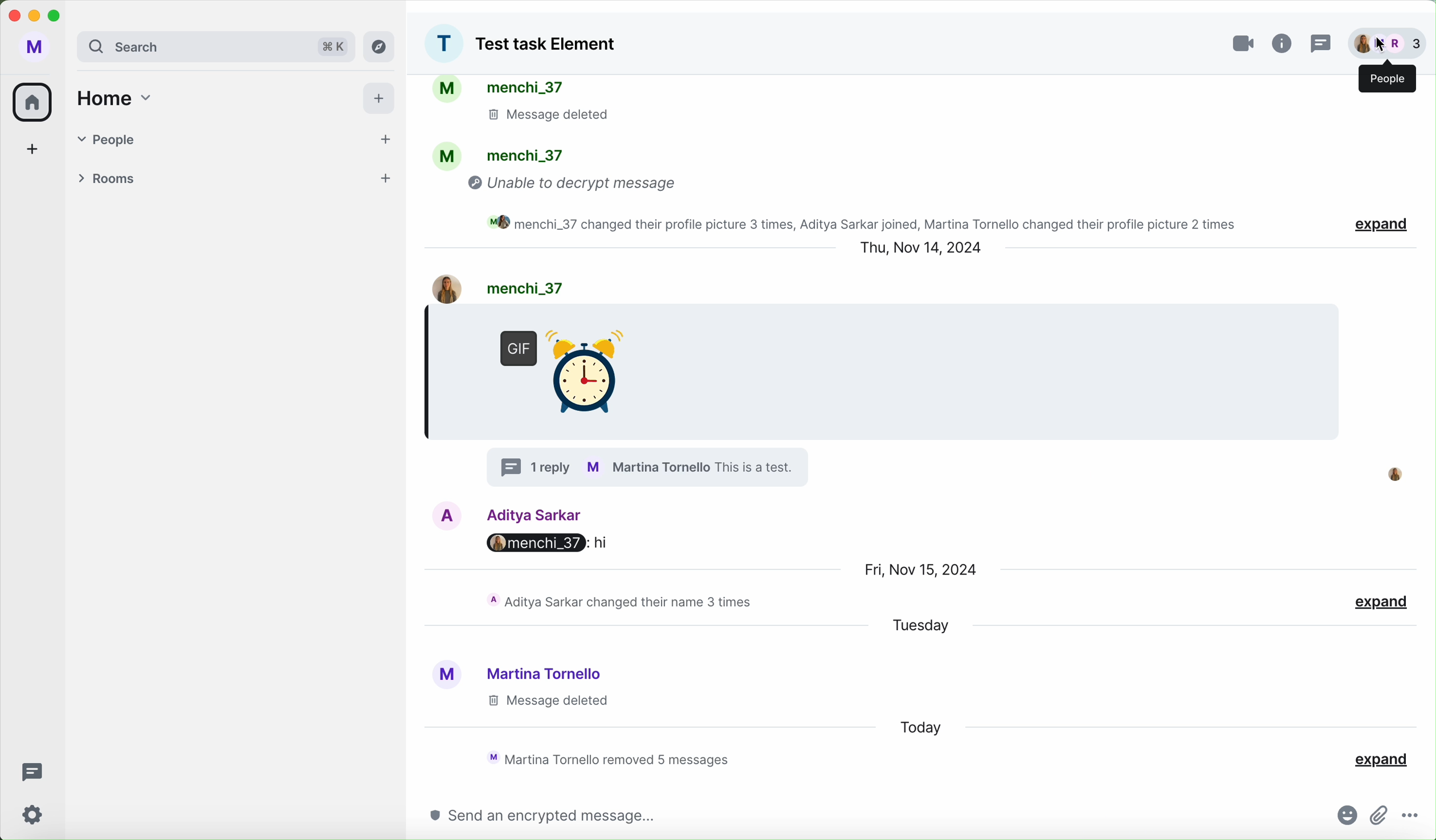  What do you see at coordinates (521, 156) in the screenshot?
I see `people` at bounding box center [521, 156].